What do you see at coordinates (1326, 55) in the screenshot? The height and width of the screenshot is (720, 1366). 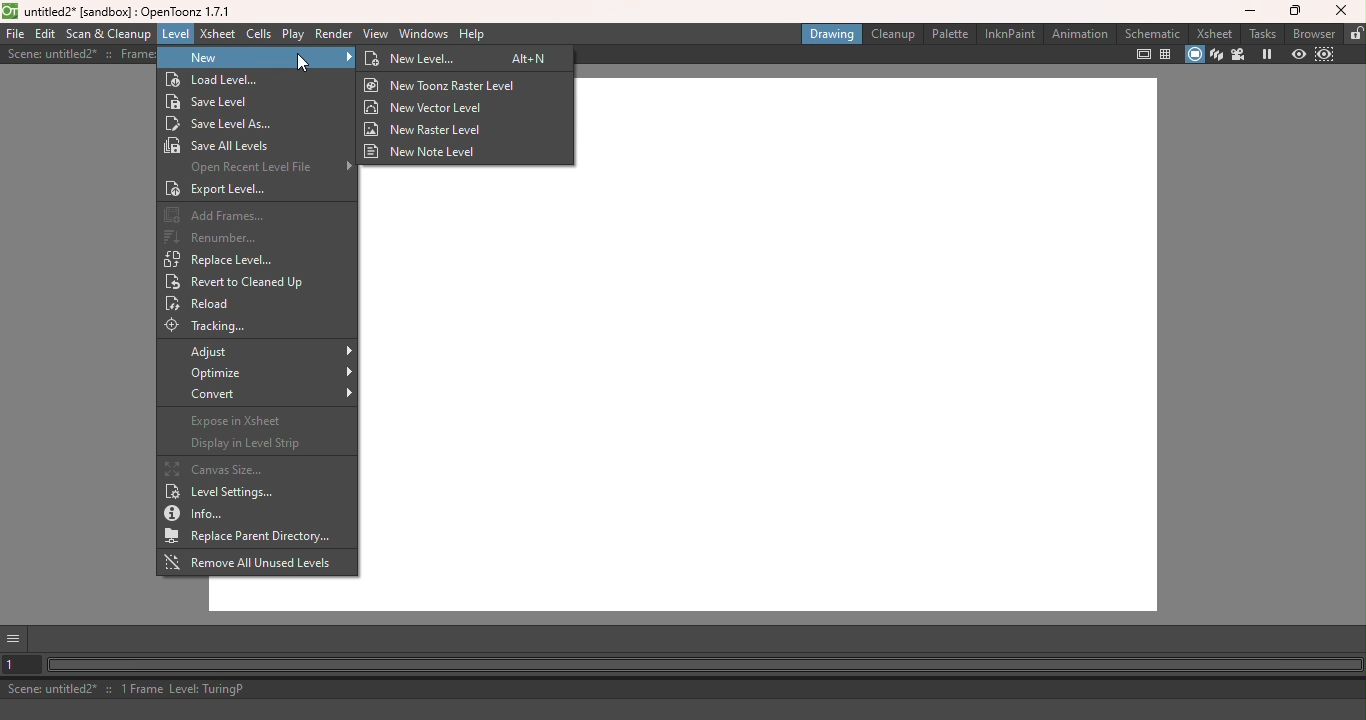 I see `Sub-camera preview` at bounding box center [1326, 55].